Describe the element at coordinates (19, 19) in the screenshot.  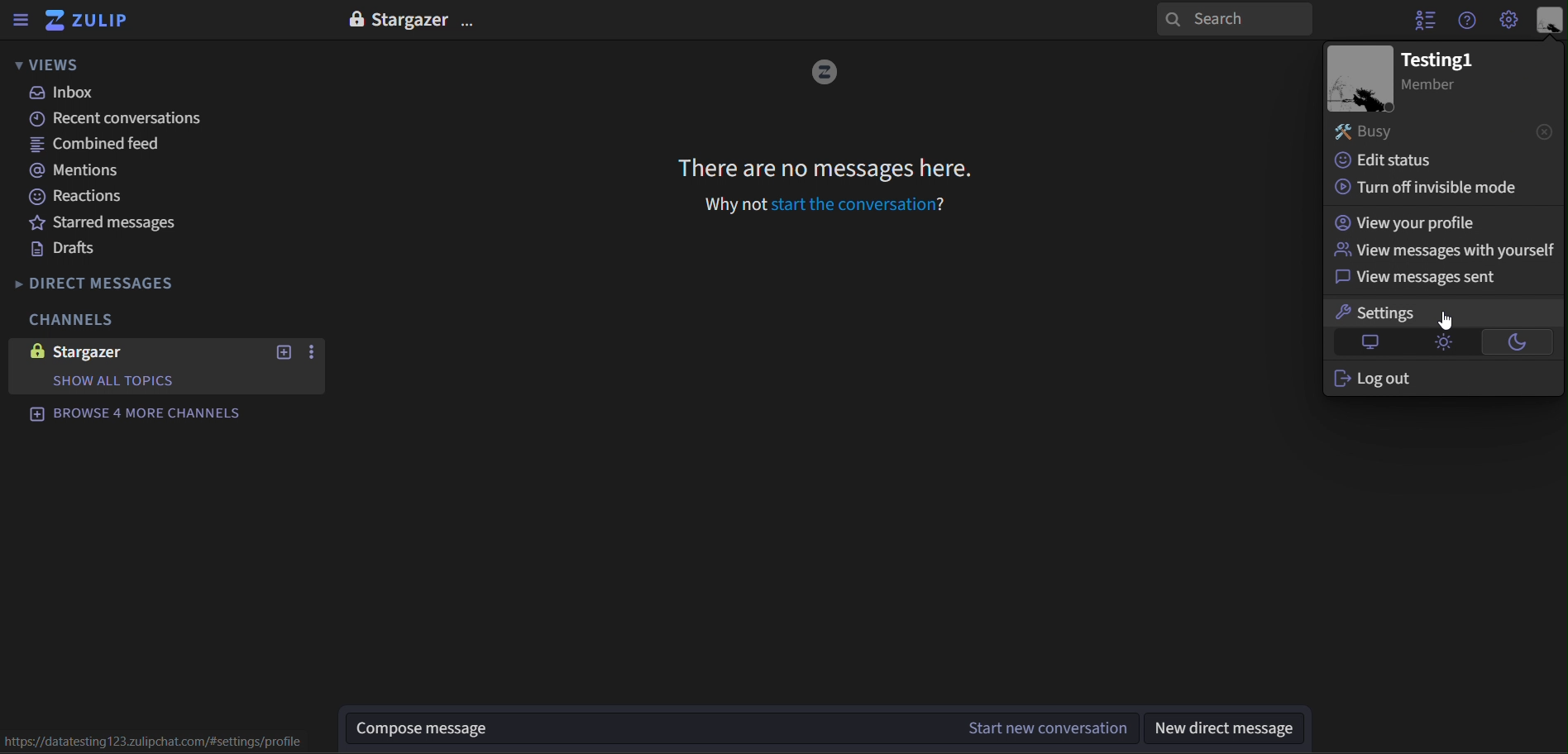
I see `hide sidebar` at that location.